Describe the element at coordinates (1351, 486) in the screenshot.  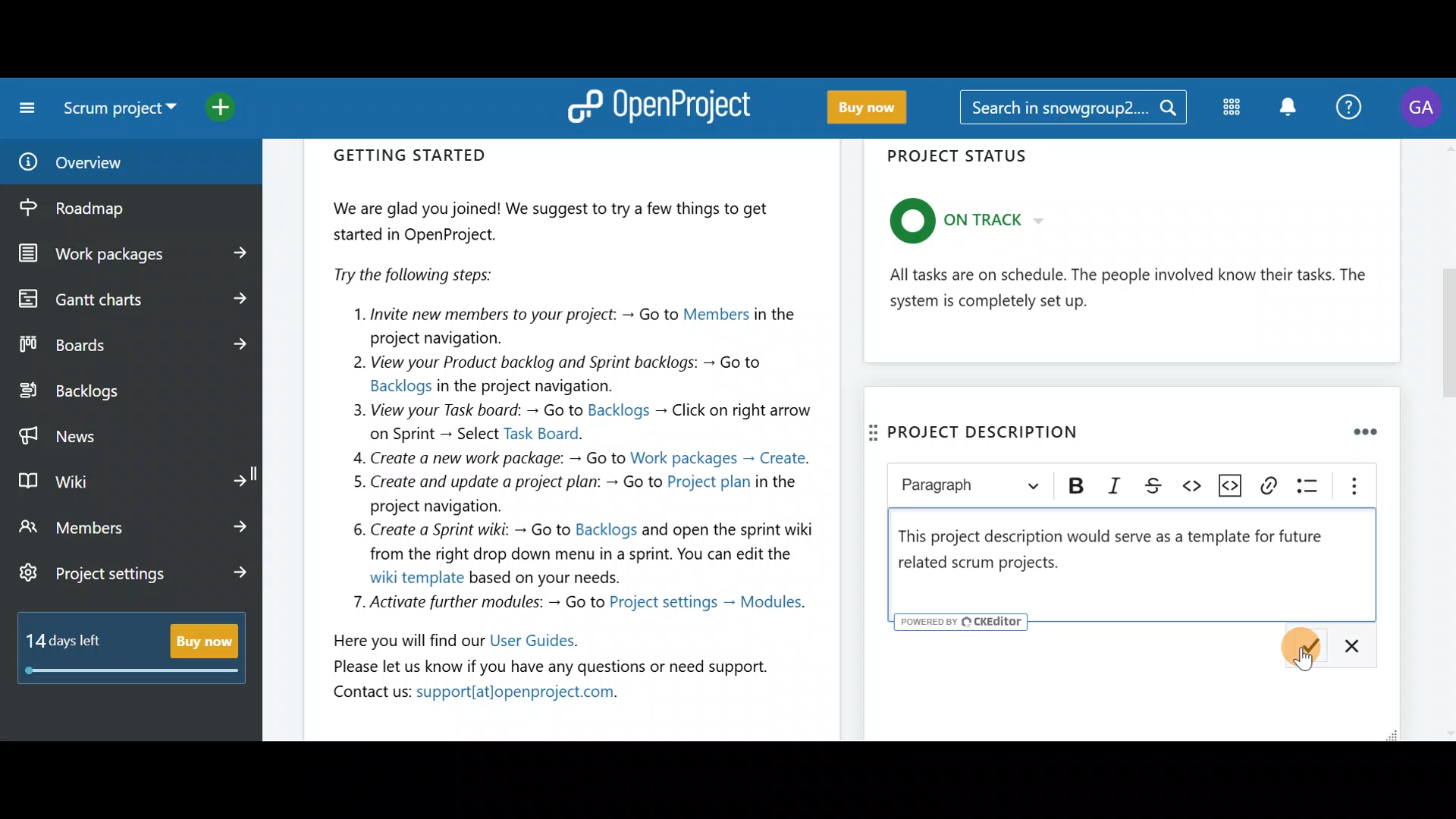
I see `Show more items` at that location.